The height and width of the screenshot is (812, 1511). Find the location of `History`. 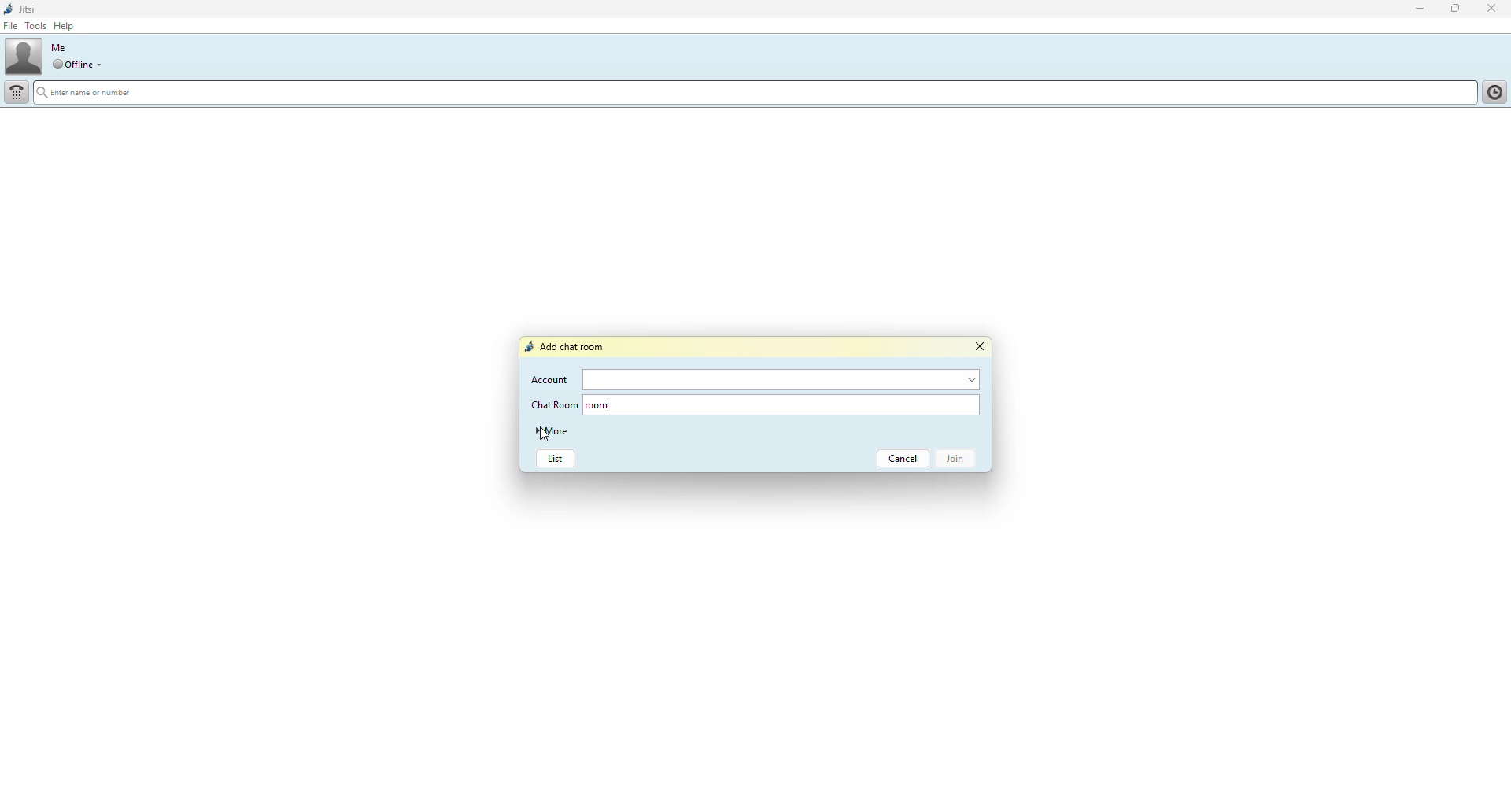

History is located at coordinates (1492, 90).